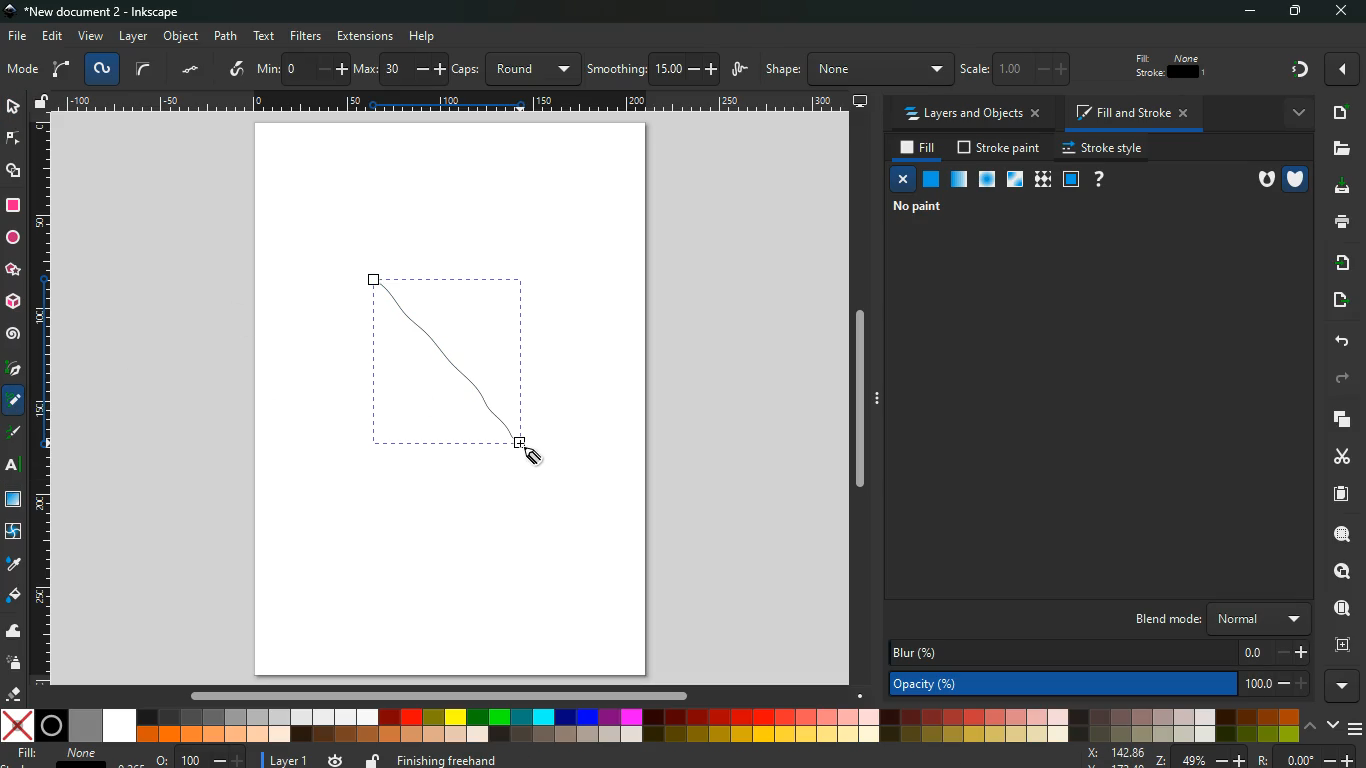 The width and height of the screenshot is (1366, 768). I want to click on fill, so click(919, 148).